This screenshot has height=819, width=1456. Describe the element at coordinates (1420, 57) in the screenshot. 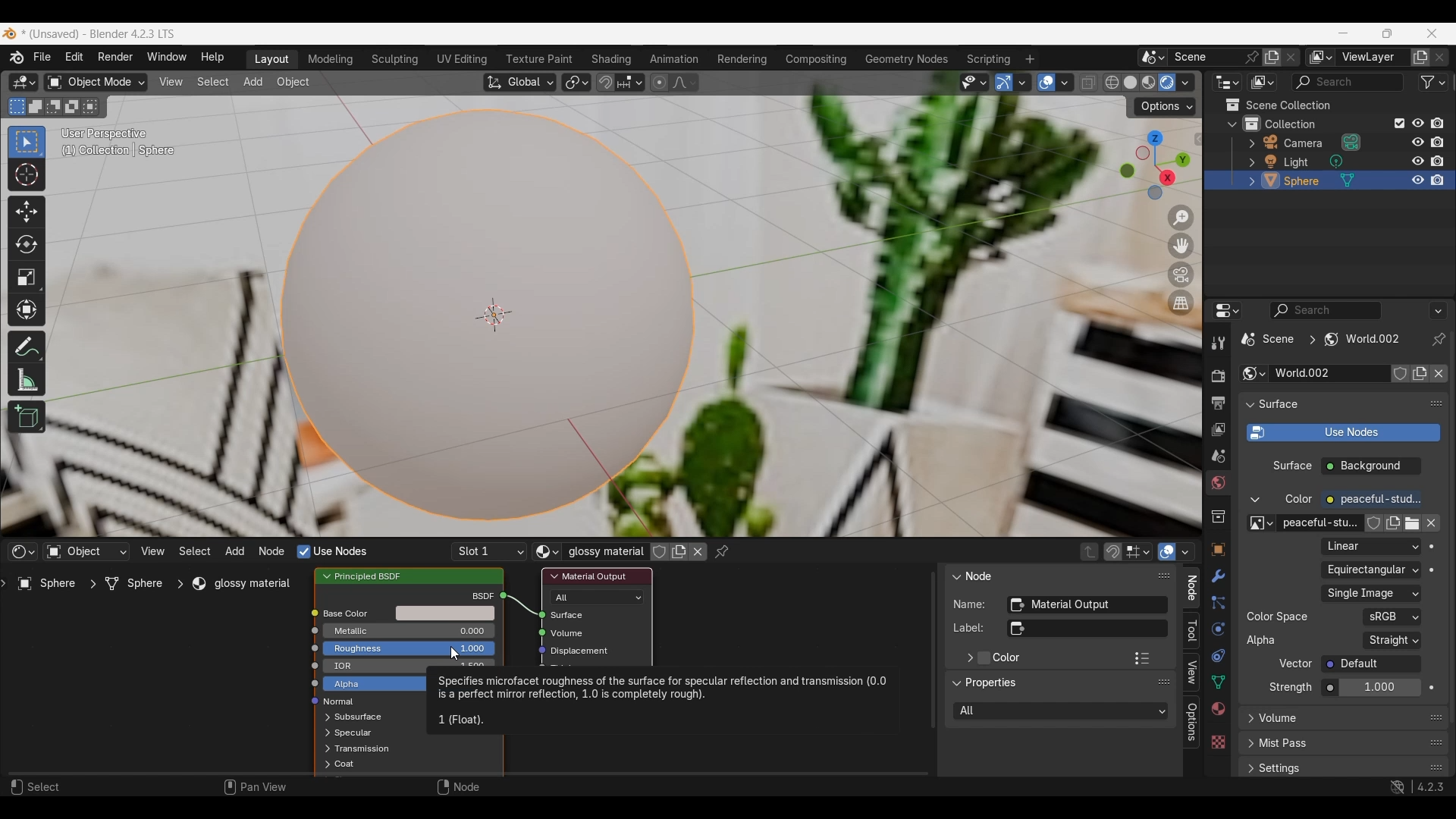

I see `Add view layer` at that location.